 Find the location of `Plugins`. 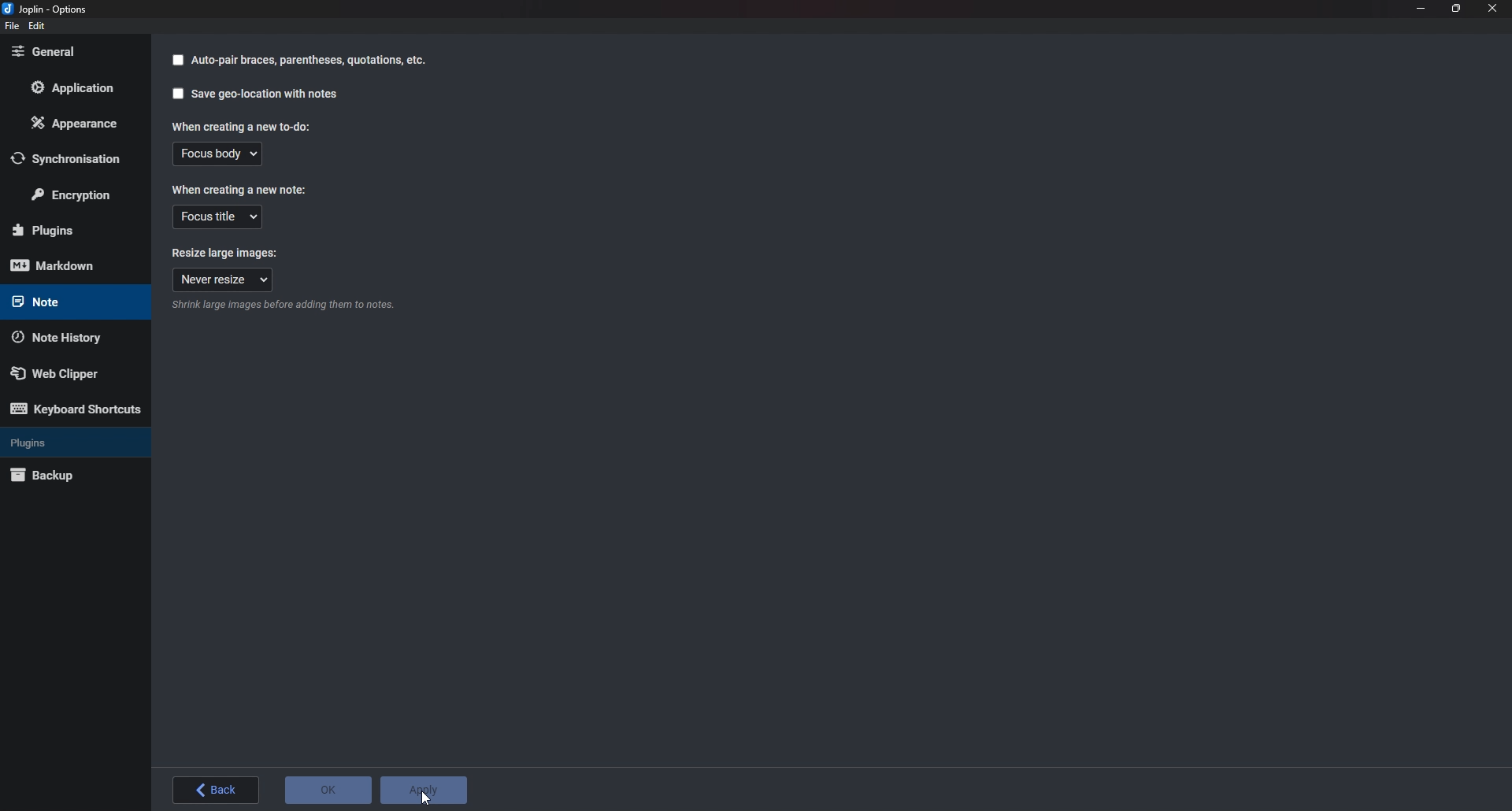

Plugins is located at coordinates (68, 442).